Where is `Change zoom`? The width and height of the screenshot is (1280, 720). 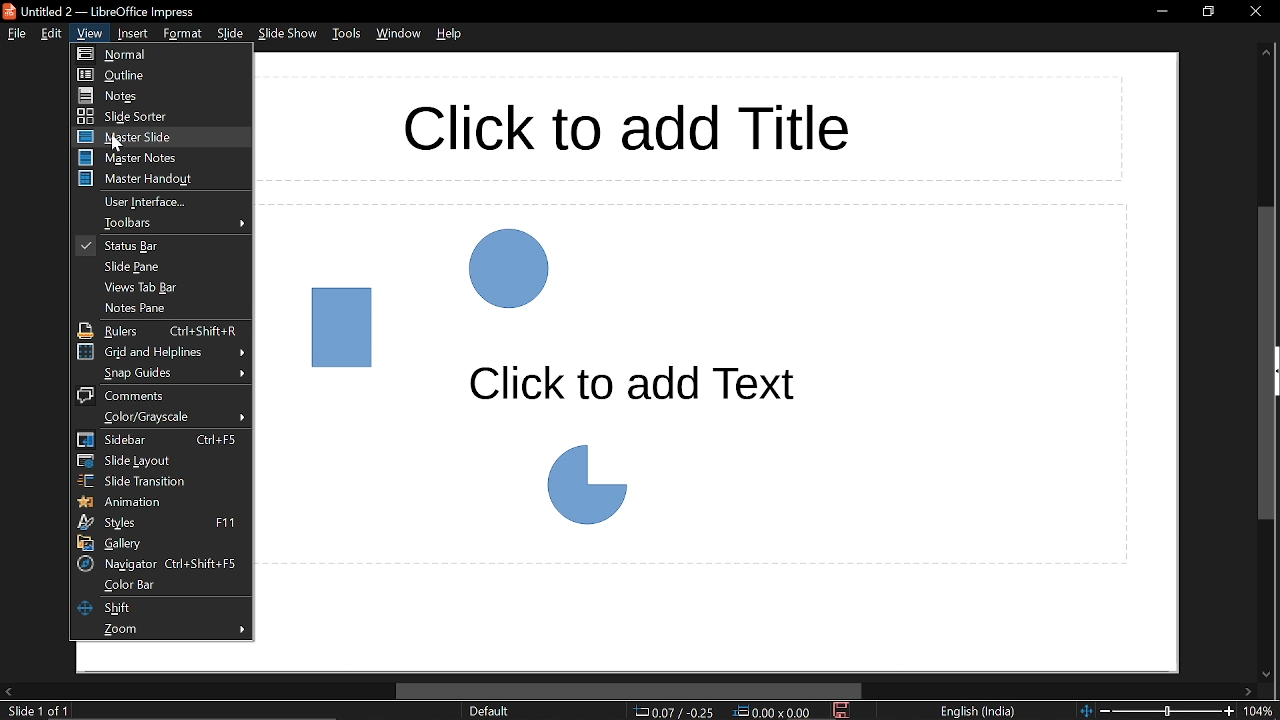
Change zoom is located at coordinates (1159, 712).